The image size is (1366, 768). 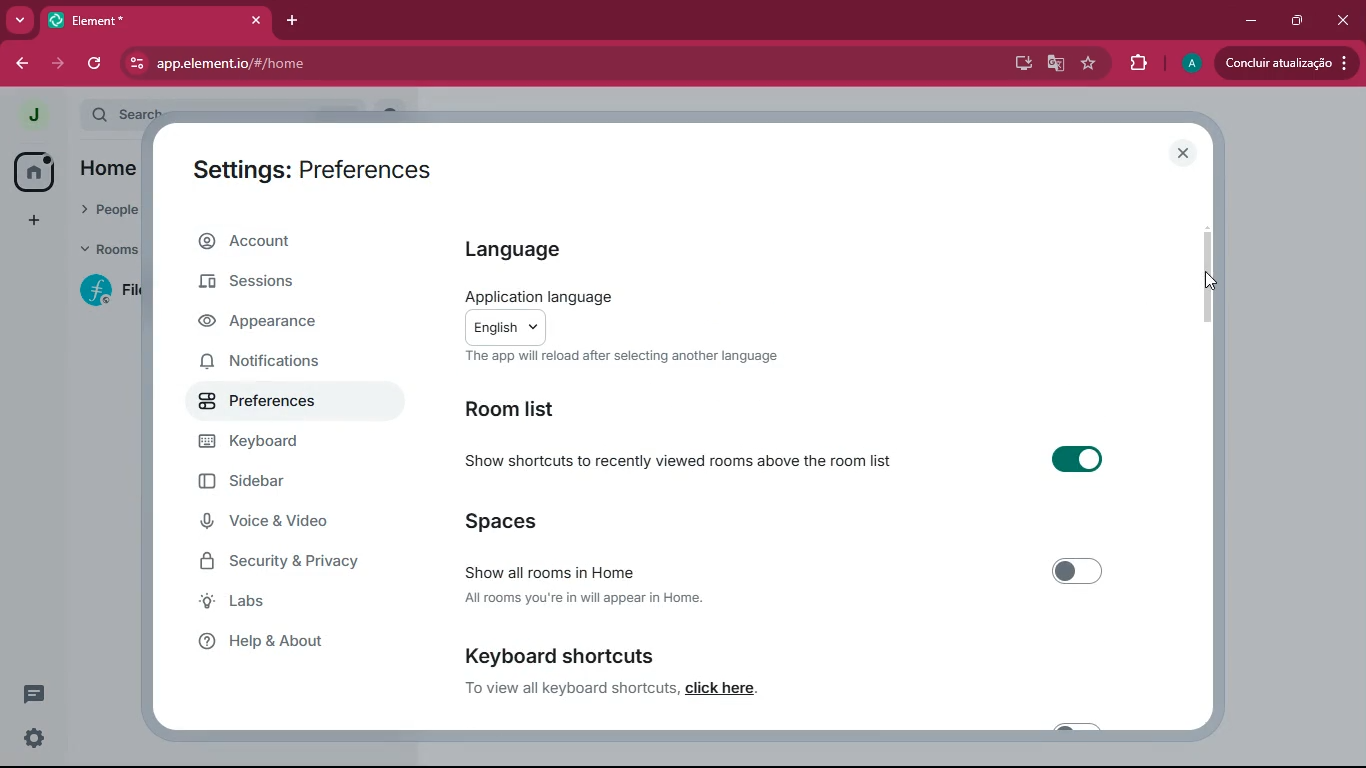 What do you see at coordinates (37, 691) in the screenshot?
I see `comments` at bounding box center [37, 691].